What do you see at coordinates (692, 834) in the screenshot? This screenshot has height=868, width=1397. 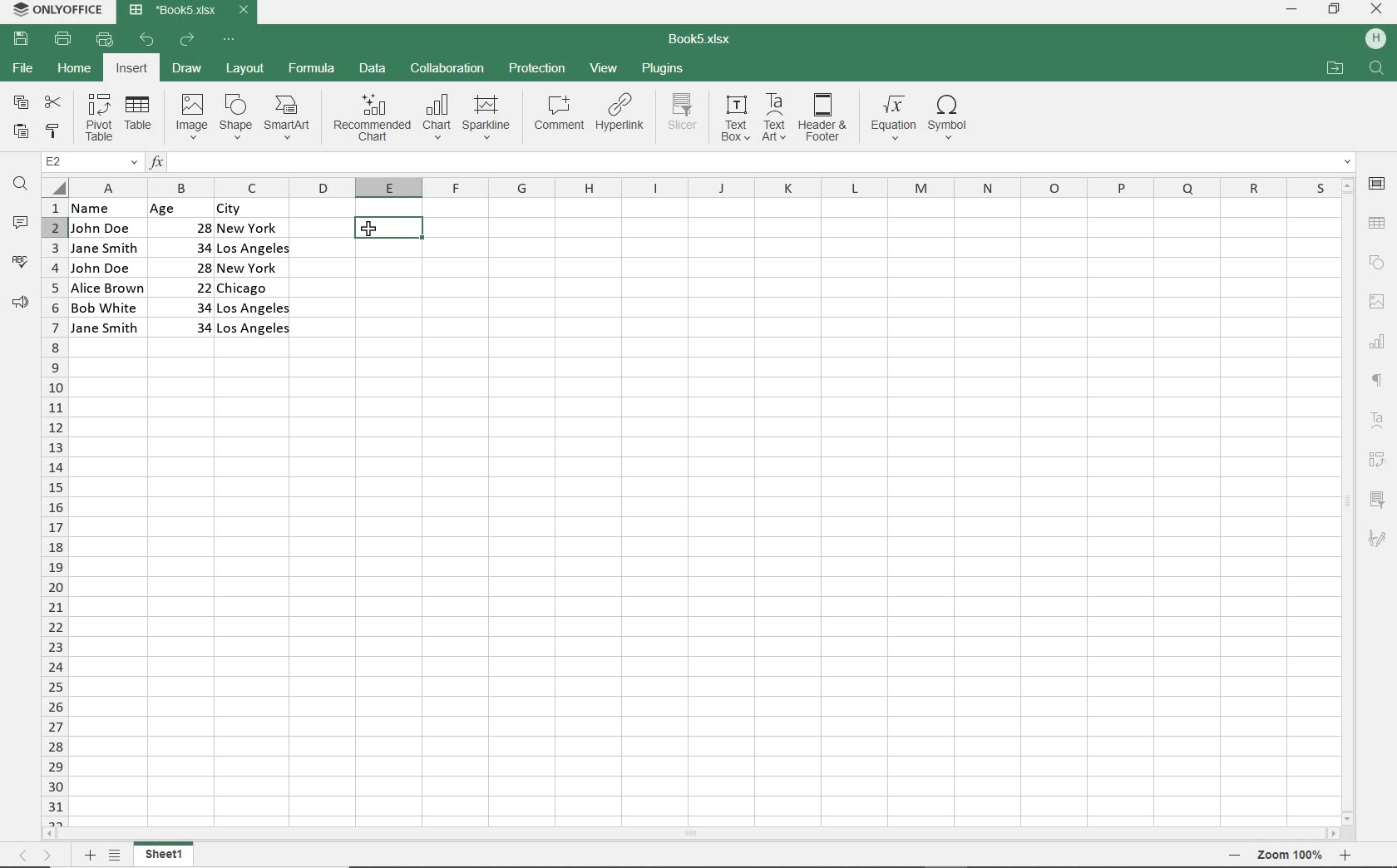 I see `SCROLLBAR` at bounding box center [692, 834].